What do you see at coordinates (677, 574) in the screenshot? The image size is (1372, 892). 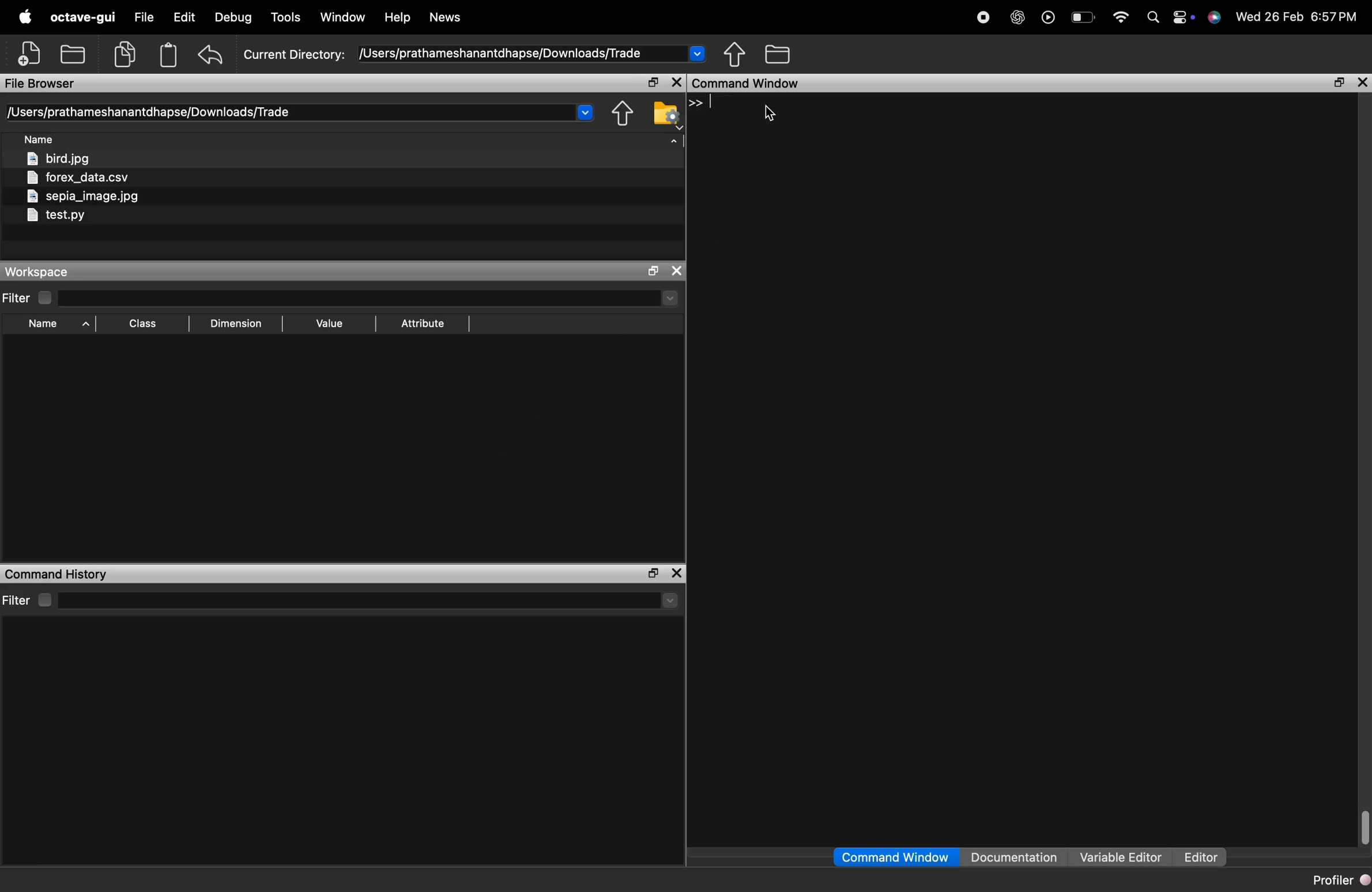 I see `close` at bounding box center [677, 574].